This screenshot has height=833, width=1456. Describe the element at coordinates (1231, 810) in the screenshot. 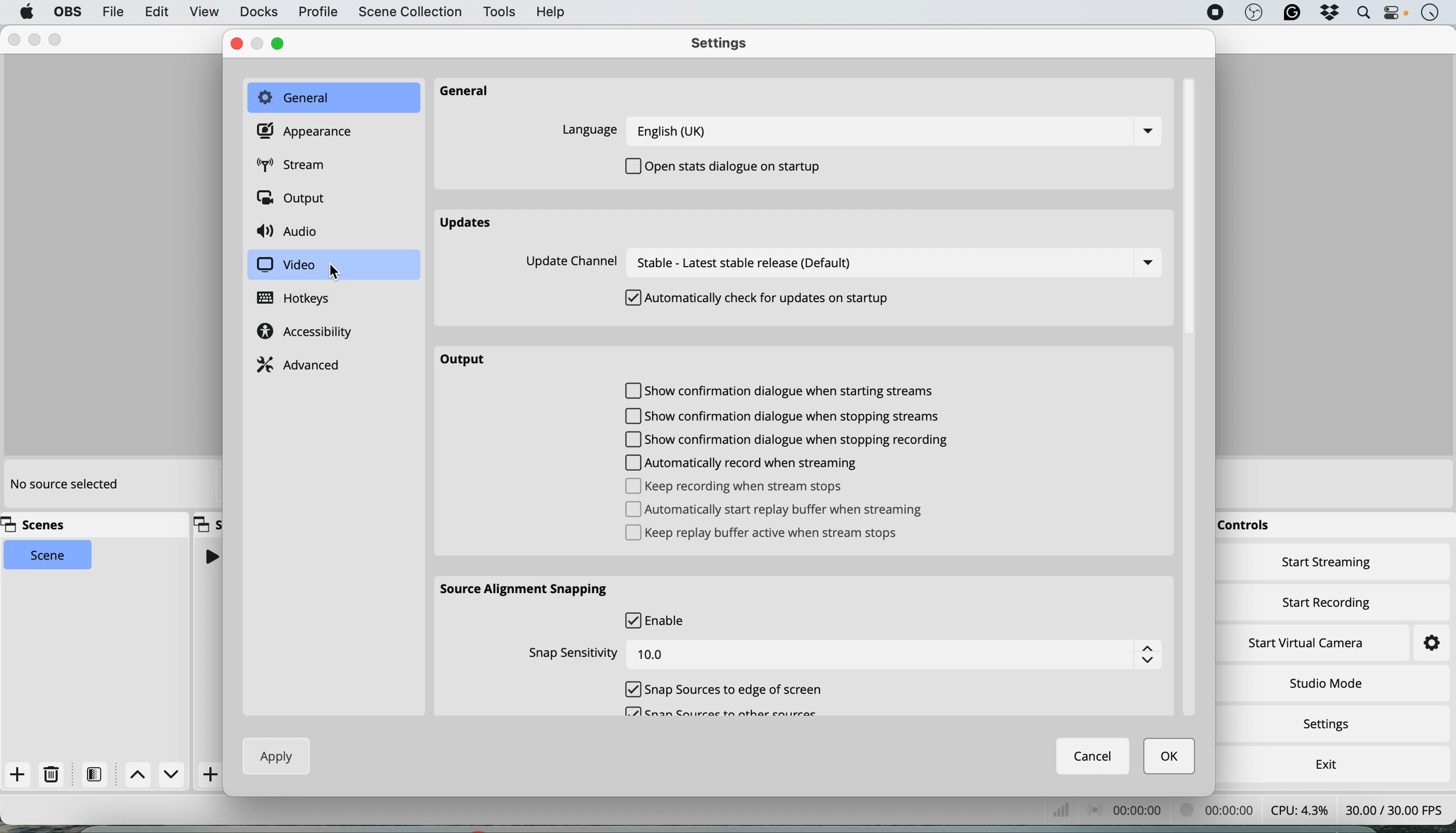

I see `video recording timestamp` at that location.